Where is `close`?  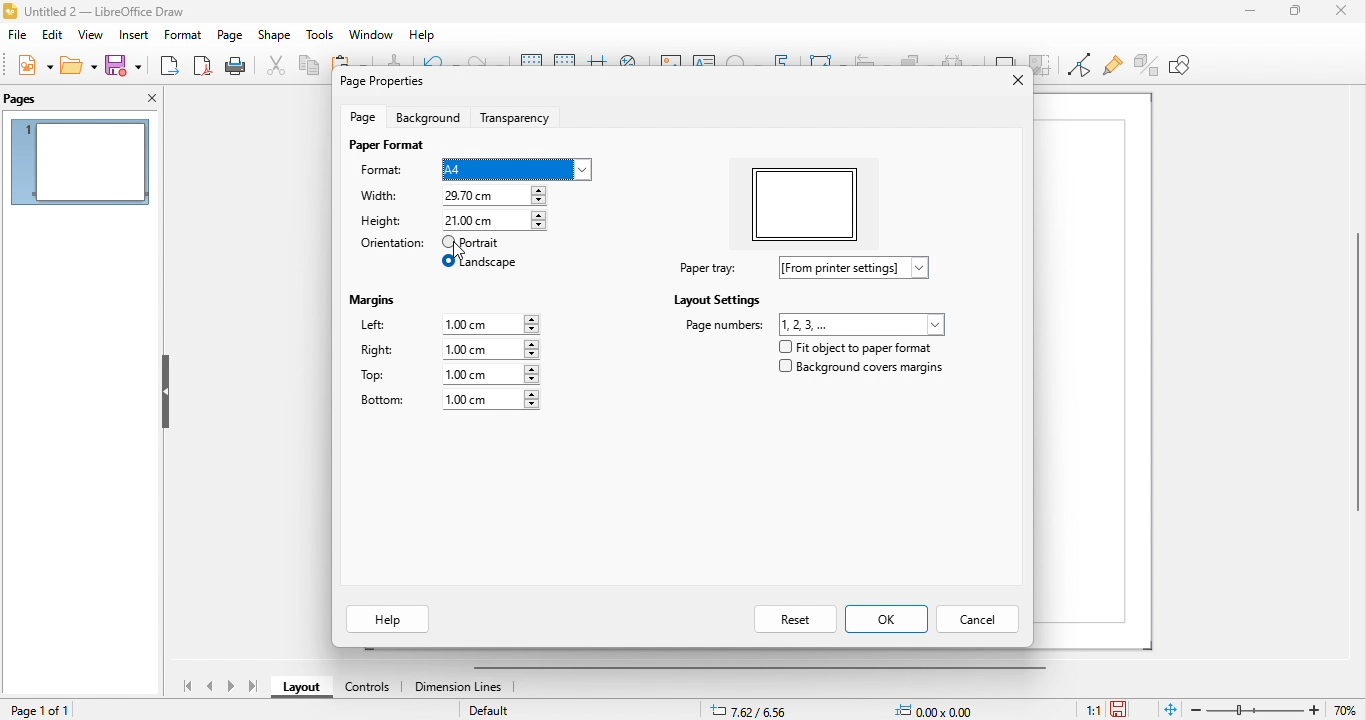
close is located at coordinates (1012, 85).